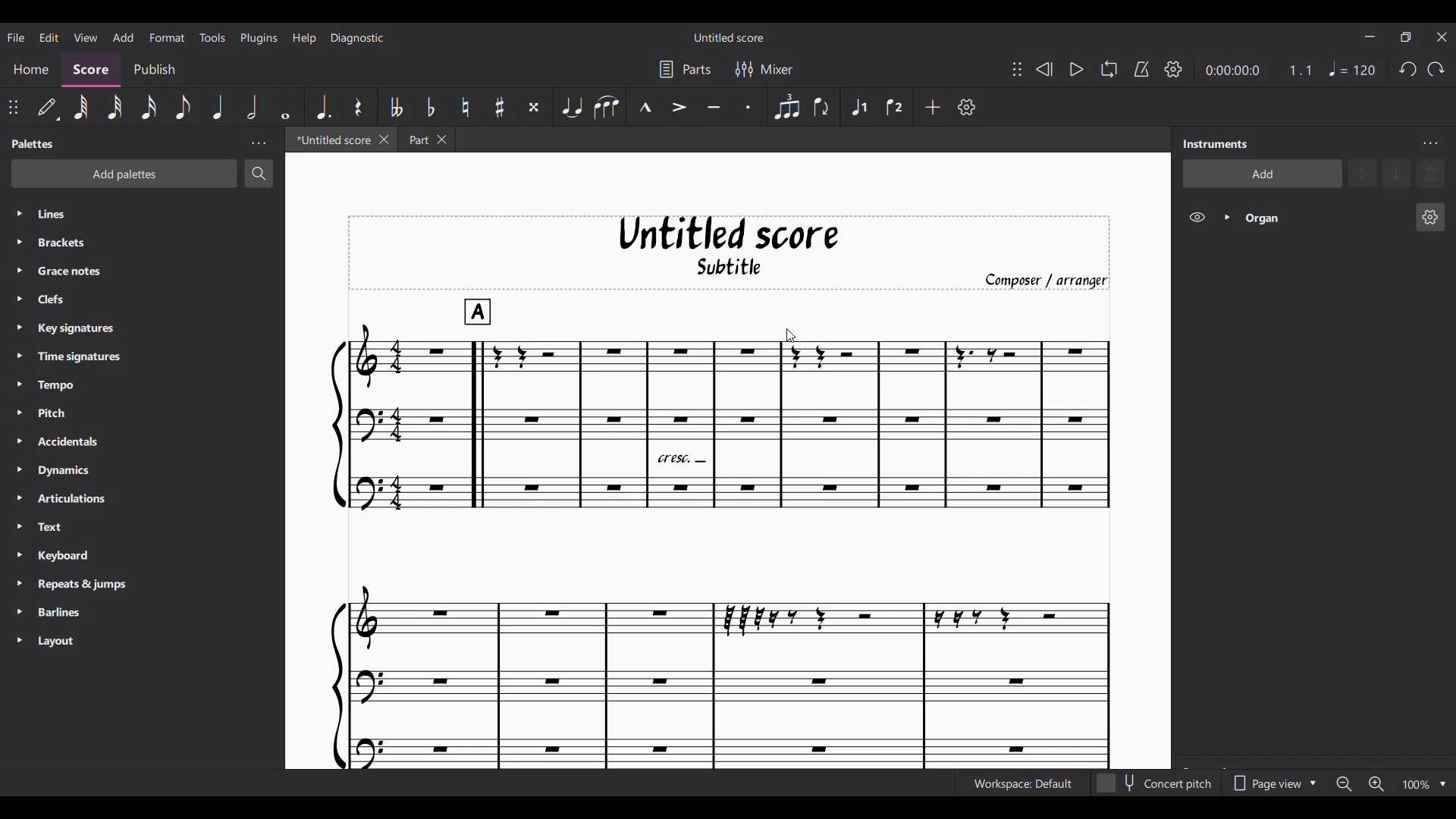 This screenshot has width=1456, height=819. What do you see at coordinates (895, 107) in the screenshot?
I see `Voice 2` at bounding box center [895, 107].